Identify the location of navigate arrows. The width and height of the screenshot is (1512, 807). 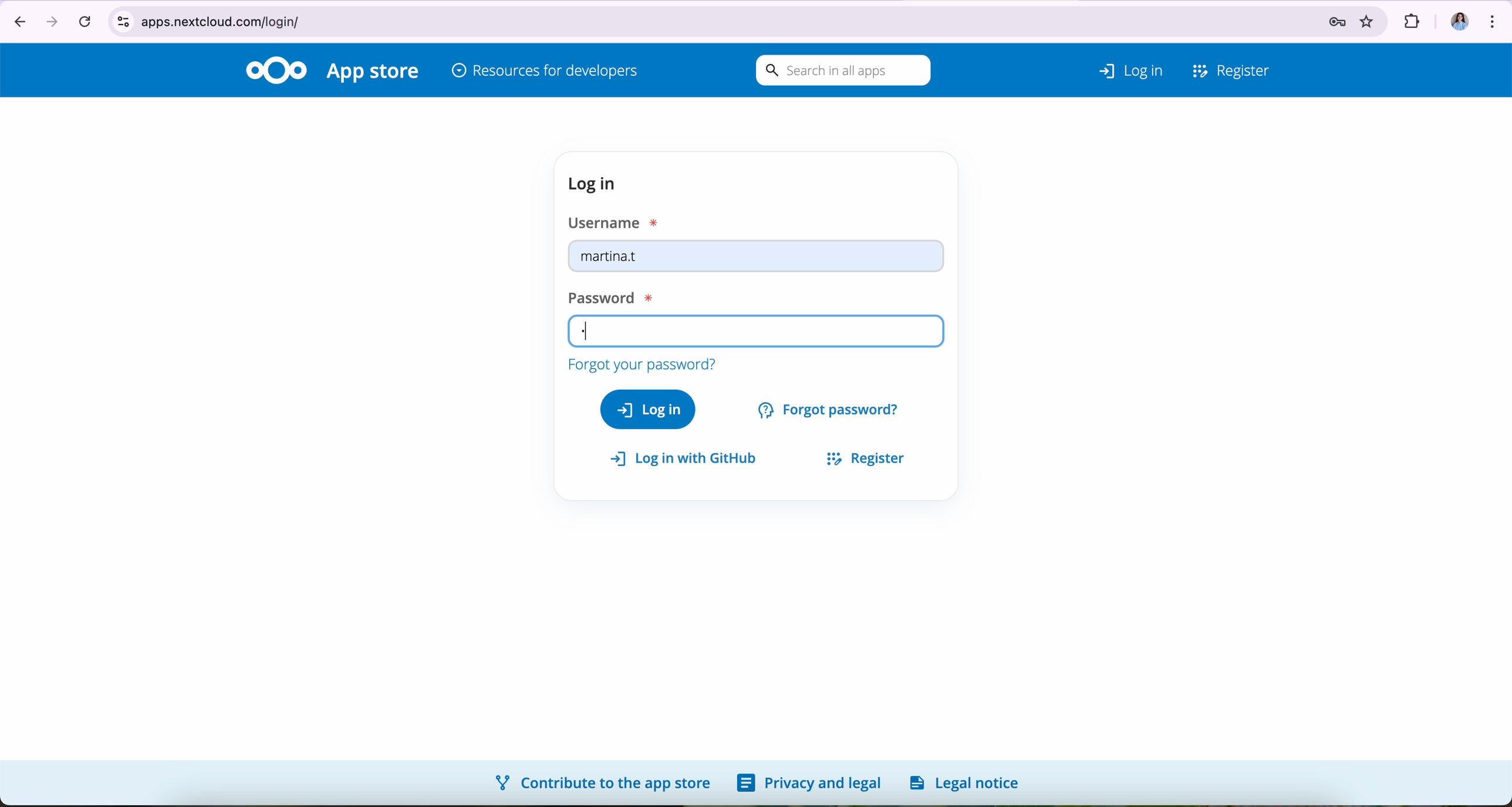
(32, 20).